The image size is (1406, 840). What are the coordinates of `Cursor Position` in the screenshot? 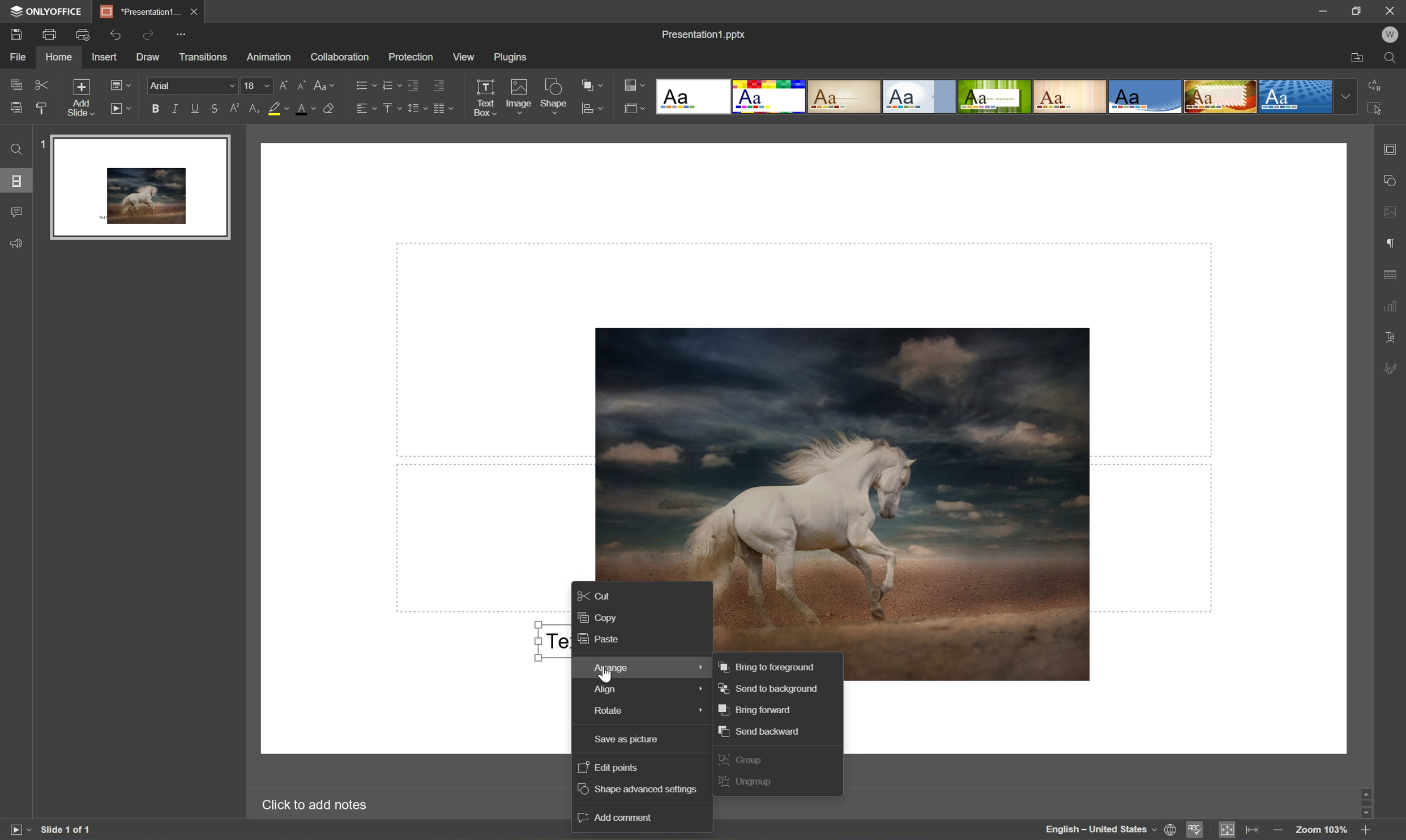 It's located at (605, 676).